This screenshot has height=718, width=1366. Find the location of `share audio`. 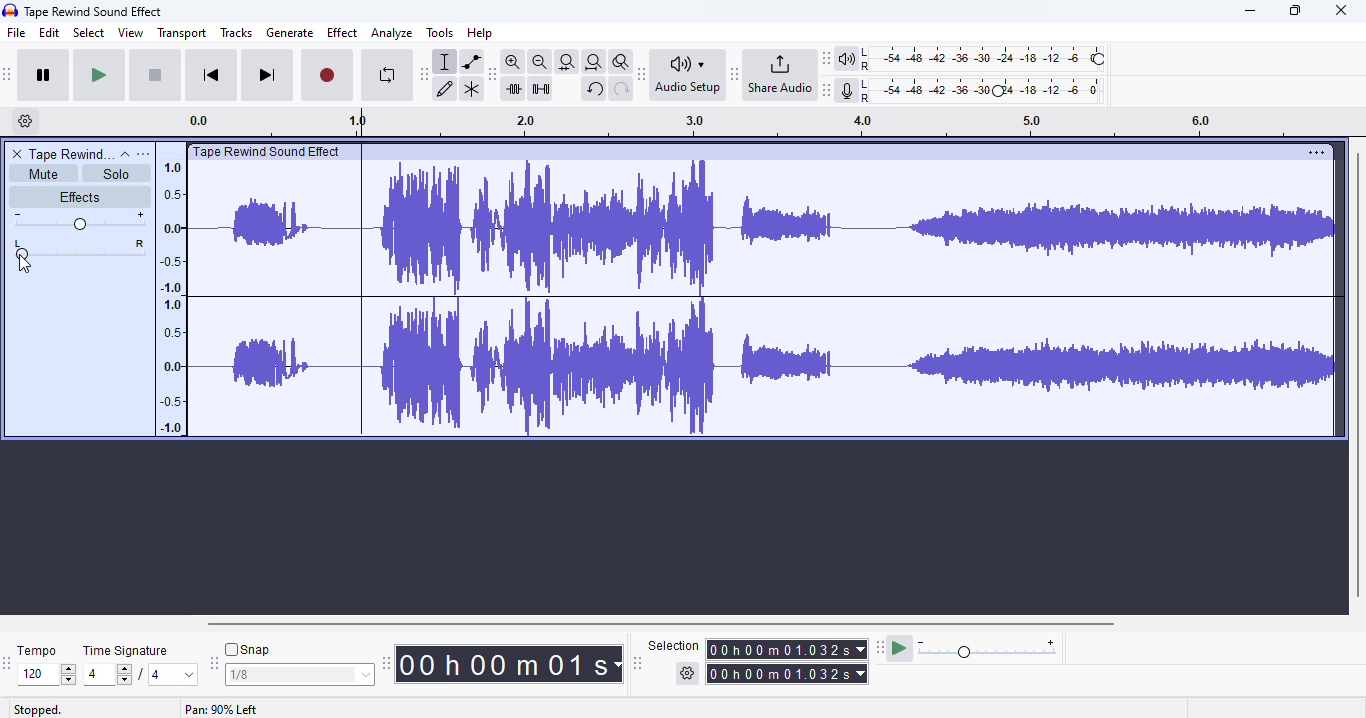

share audio is located at coordinates (779, 73).